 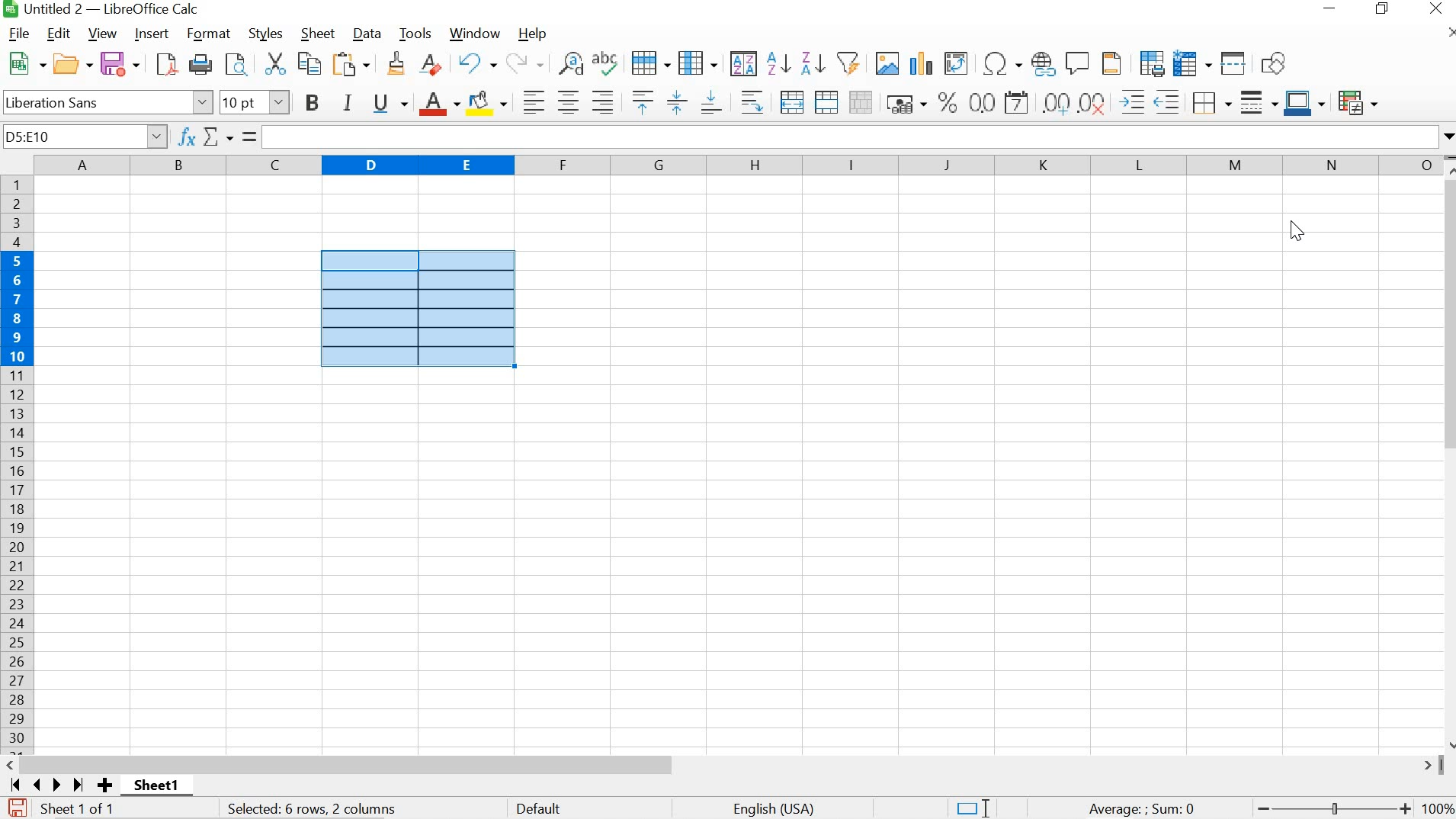 What do you see at coordinates (1298, 231) in the screenshot?
I see `cursor position` at bounding box center [1298, 231].